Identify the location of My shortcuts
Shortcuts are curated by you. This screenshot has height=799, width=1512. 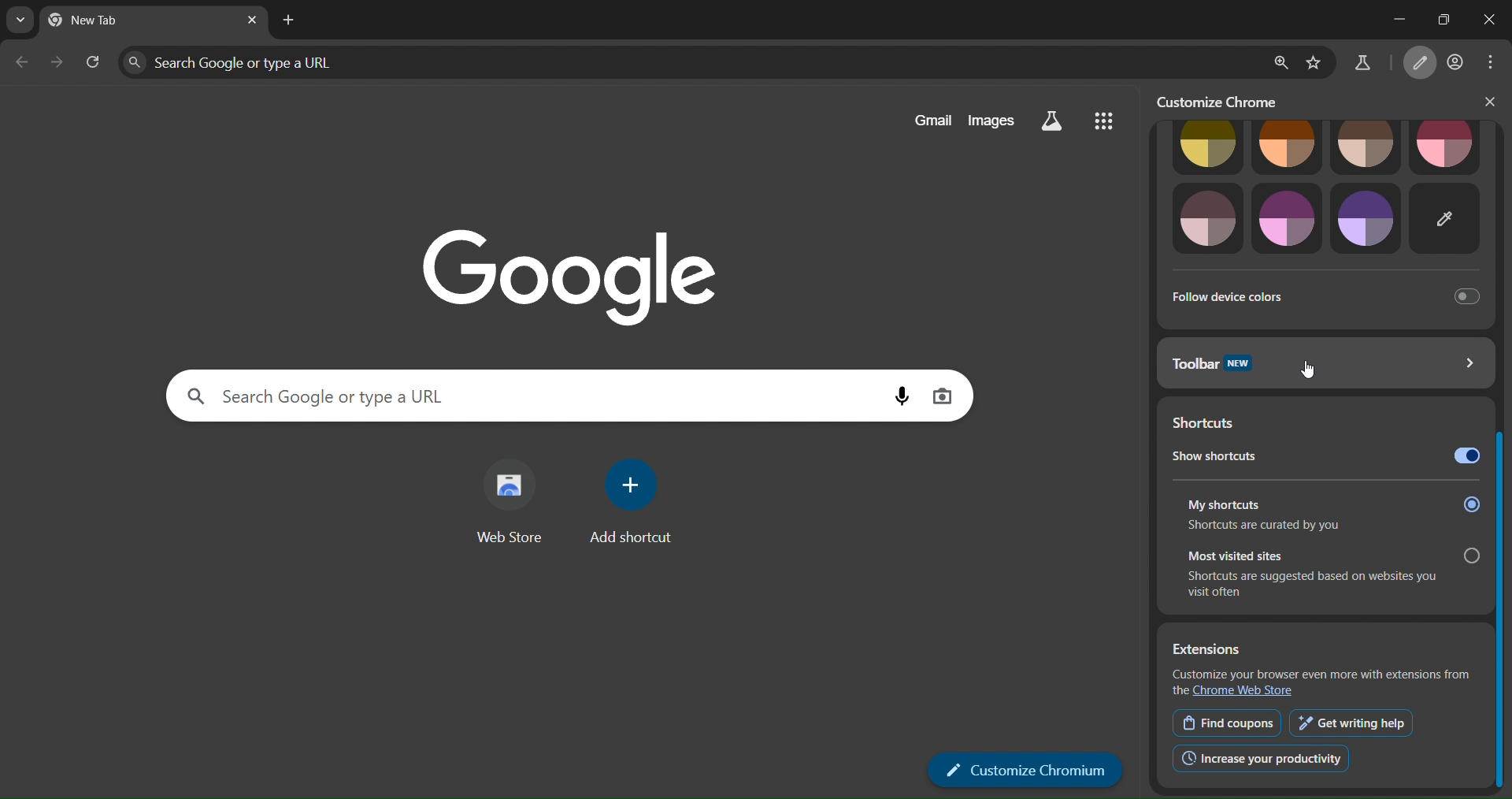
(1328, 512).